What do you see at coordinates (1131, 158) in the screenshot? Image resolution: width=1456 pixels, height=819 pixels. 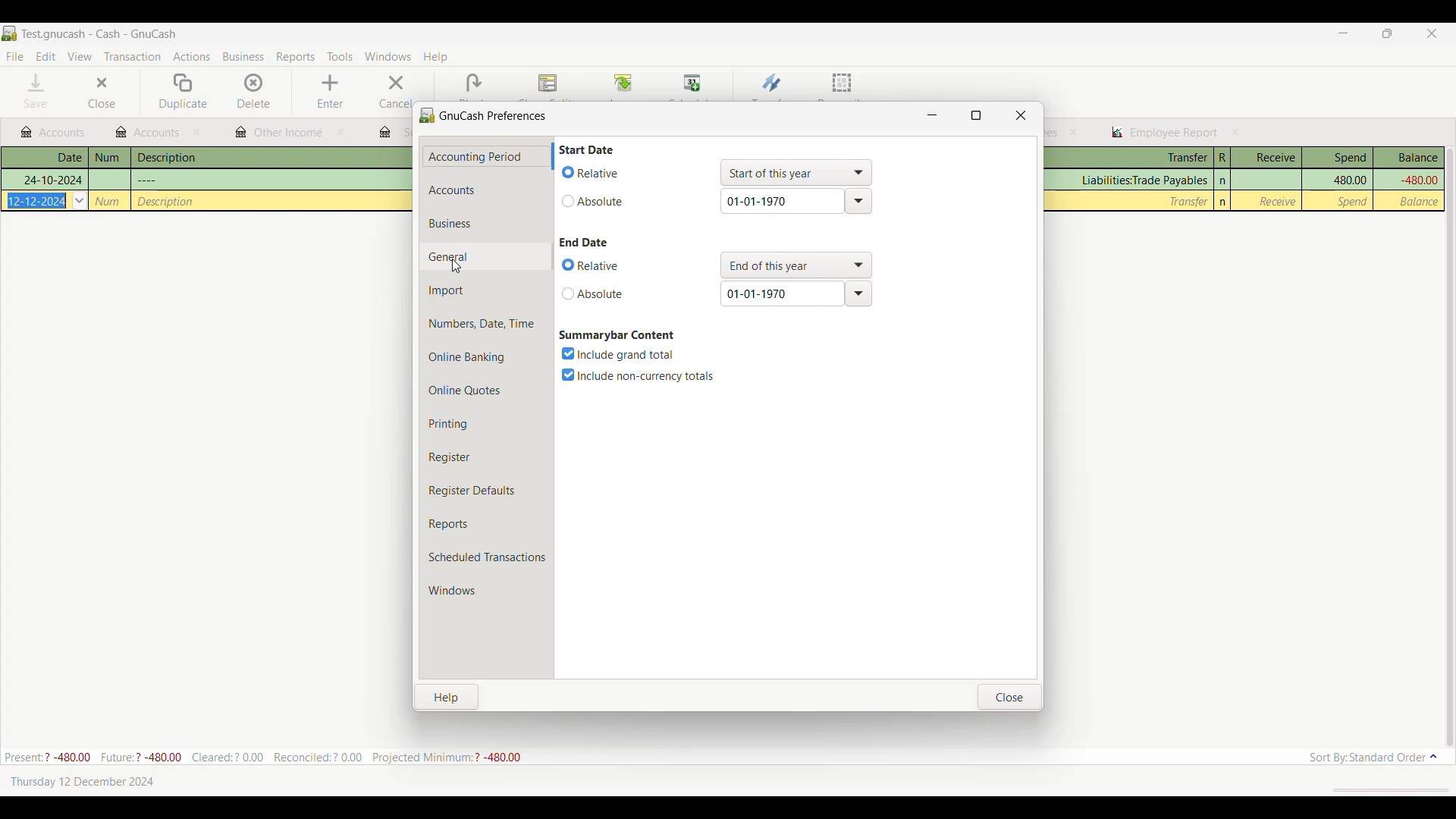 I see `Transfer column` at bounding box center [1131, 158].